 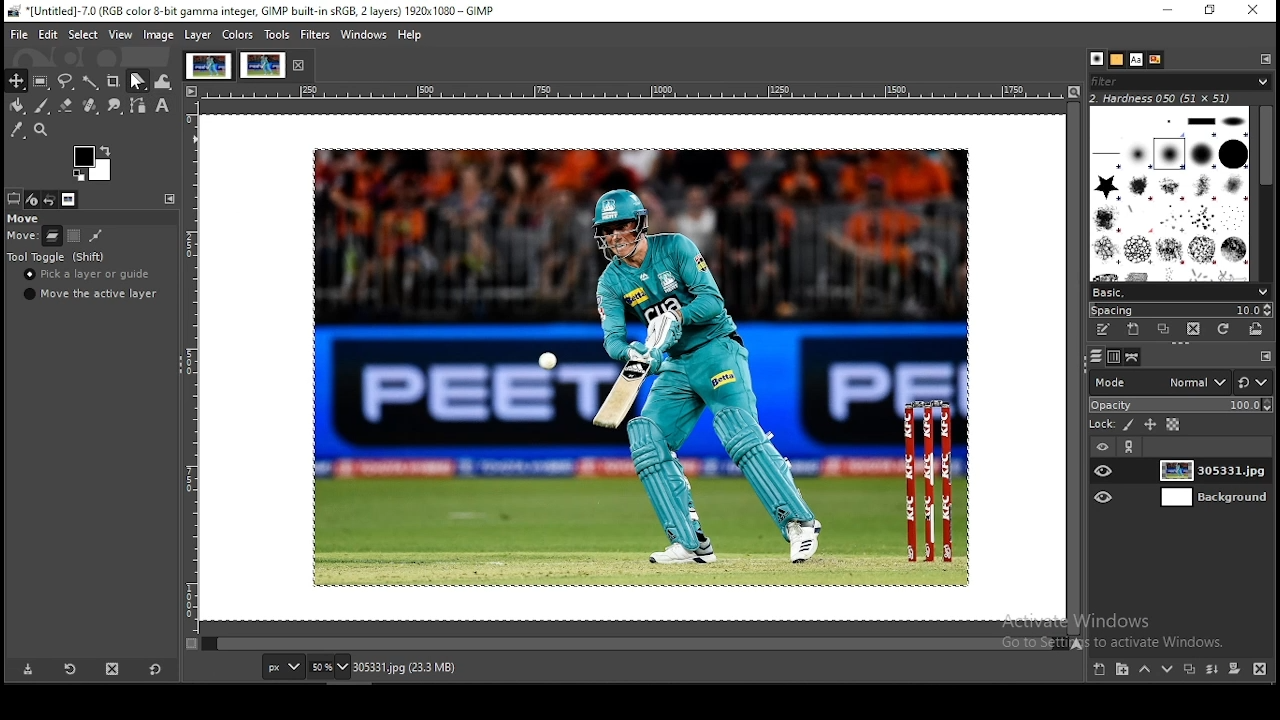 I want to click on images, so click(x=70, y=200).